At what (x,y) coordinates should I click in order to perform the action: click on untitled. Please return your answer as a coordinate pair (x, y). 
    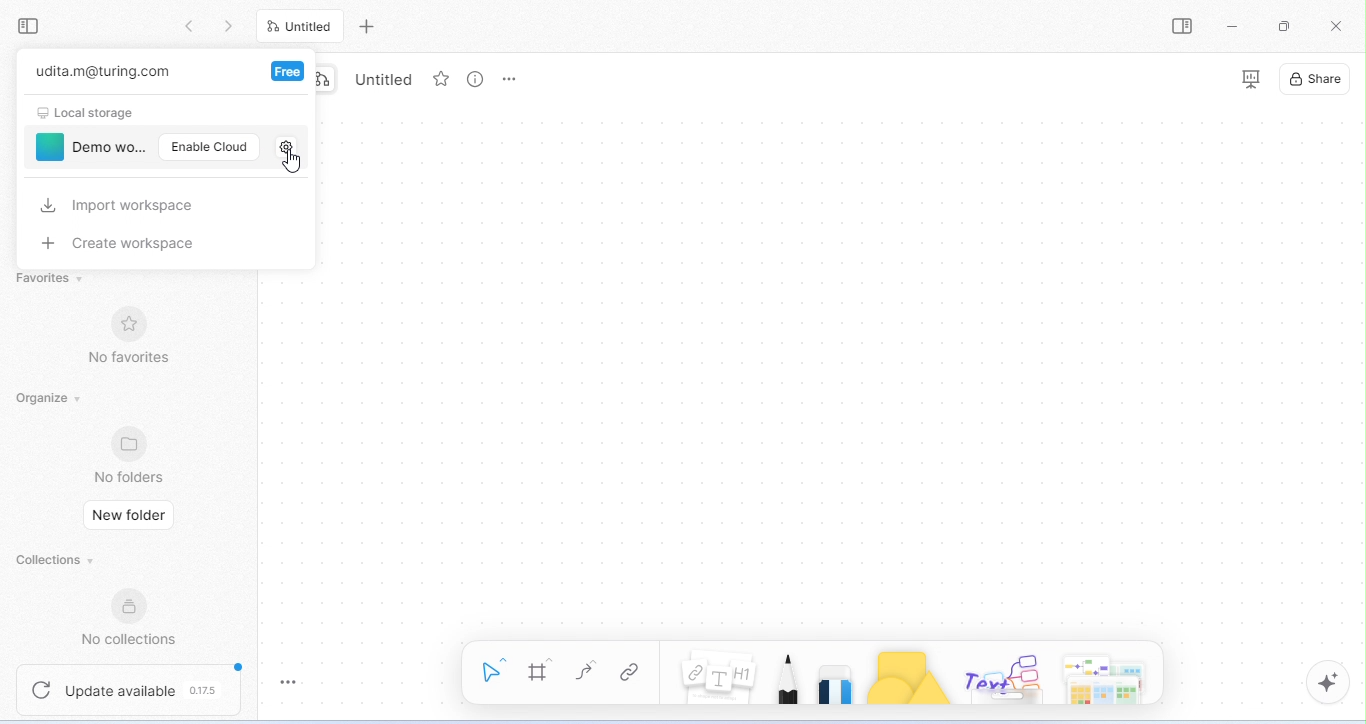
    Looking at the image, I should click on (384, 80).